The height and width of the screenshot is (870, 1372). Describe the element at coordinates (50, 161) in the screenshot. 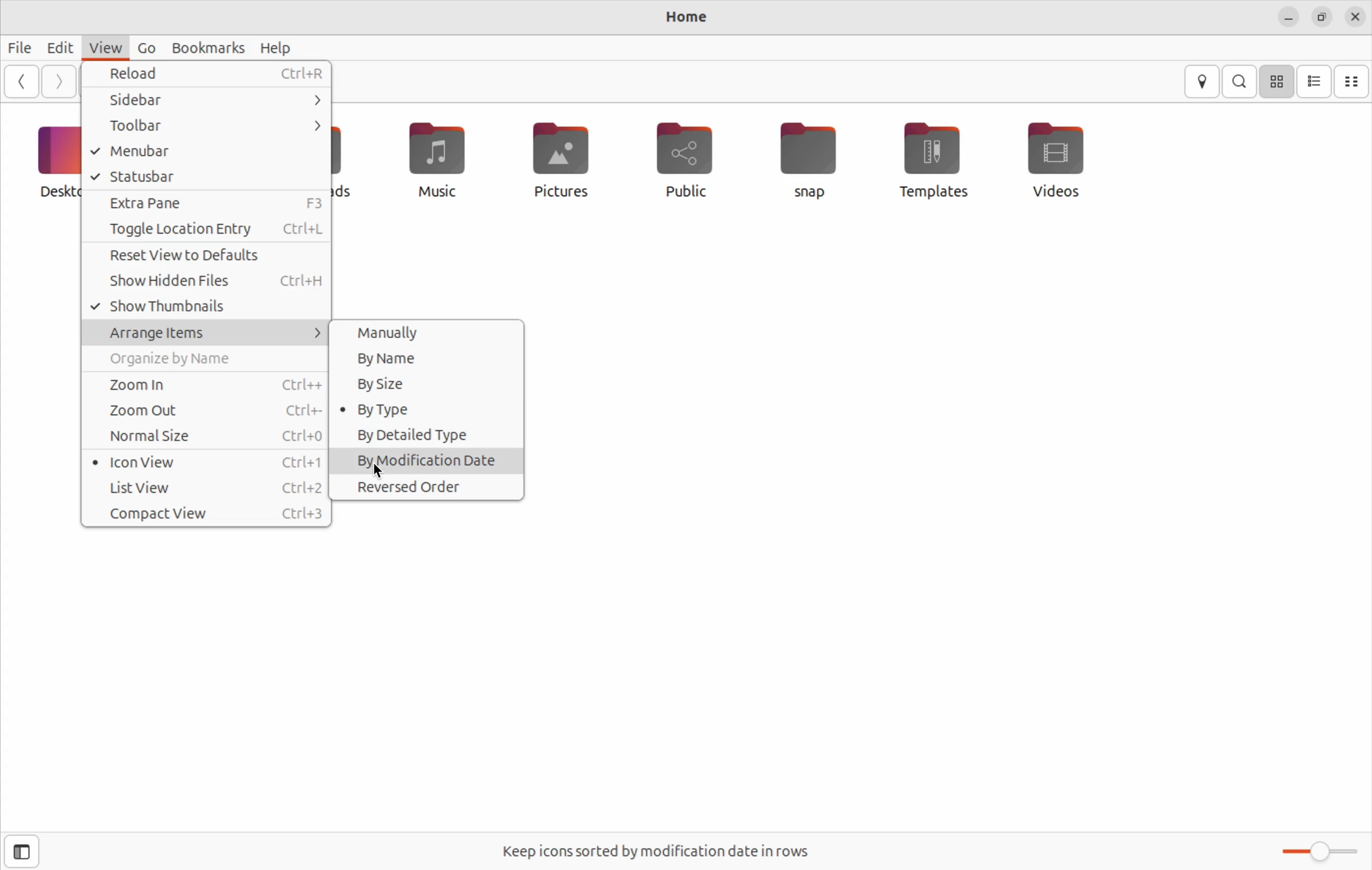

I see `desktop icon ` at that location.